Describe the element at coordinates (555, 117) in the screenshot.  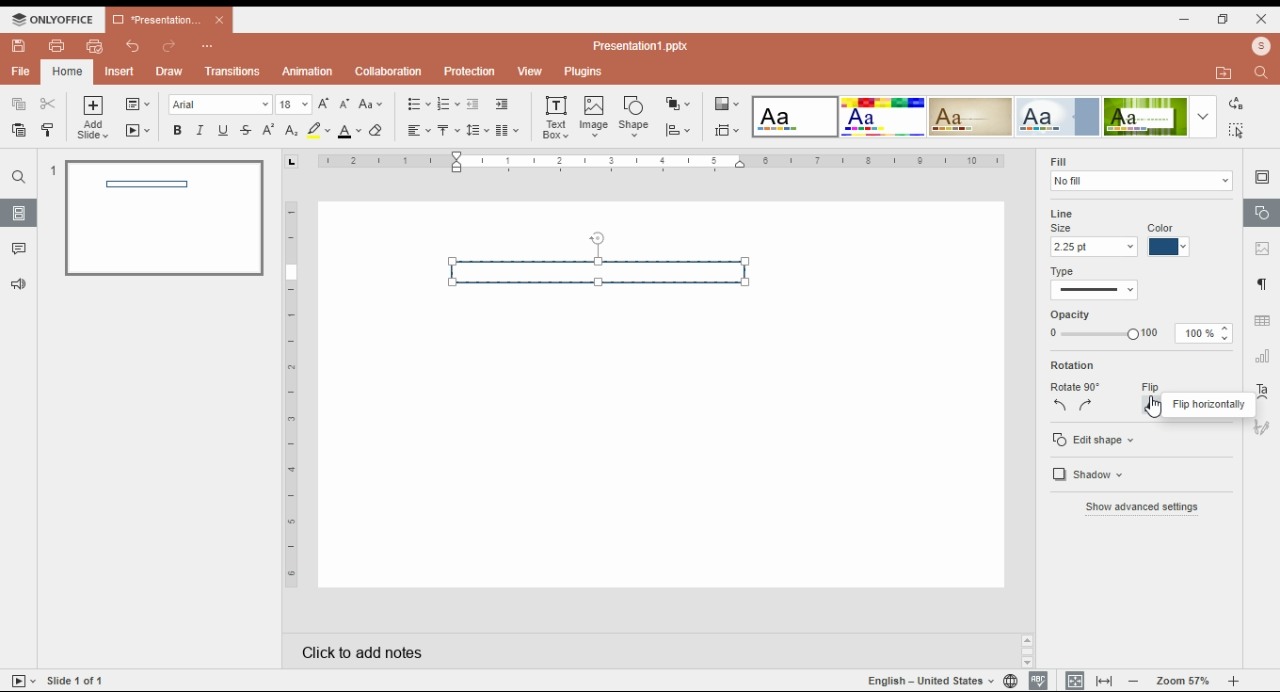
I see `insert text box` at that location.